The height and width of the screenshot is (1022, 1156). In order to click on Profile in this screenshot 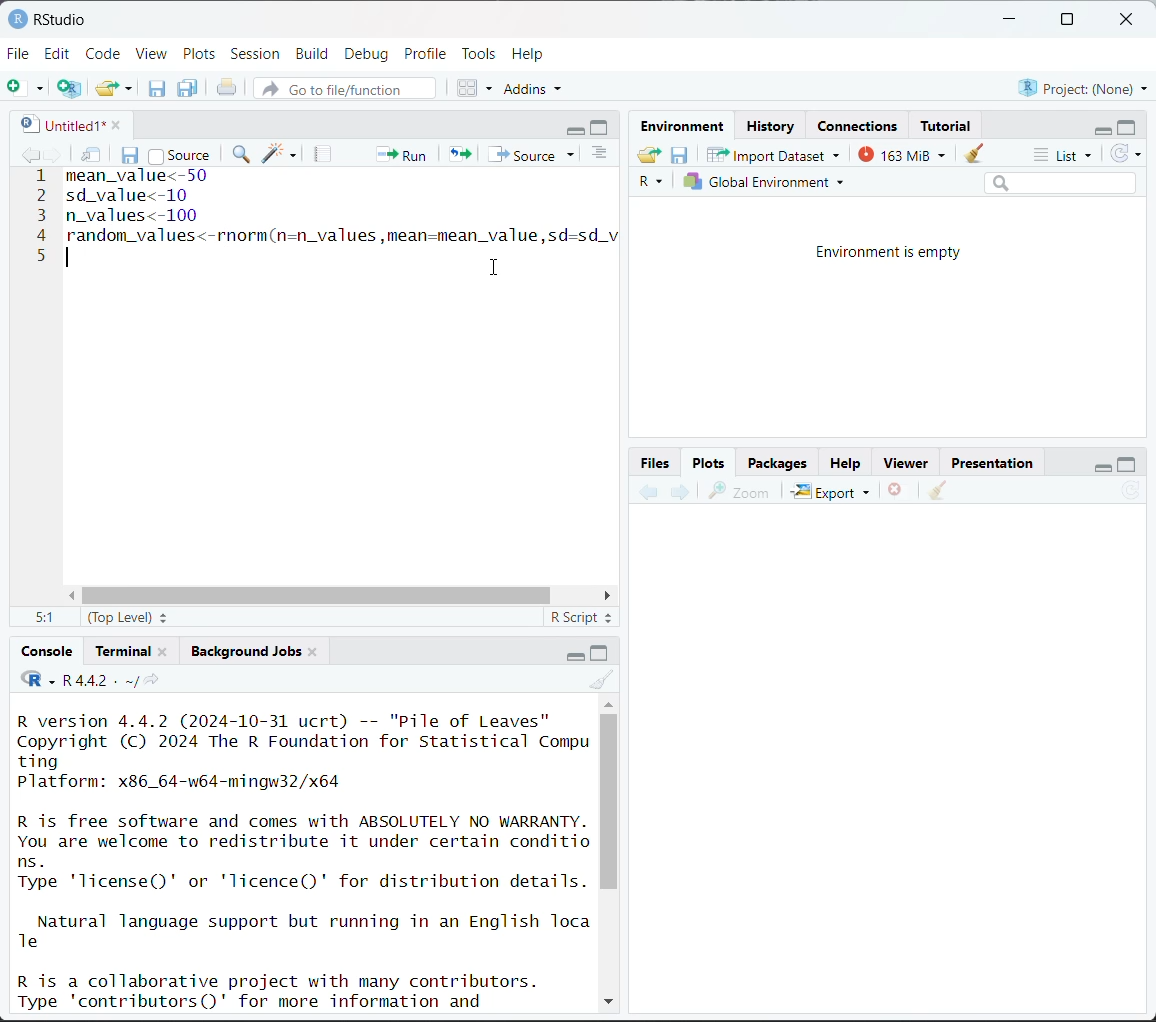, I will do `click(428, 52)`.